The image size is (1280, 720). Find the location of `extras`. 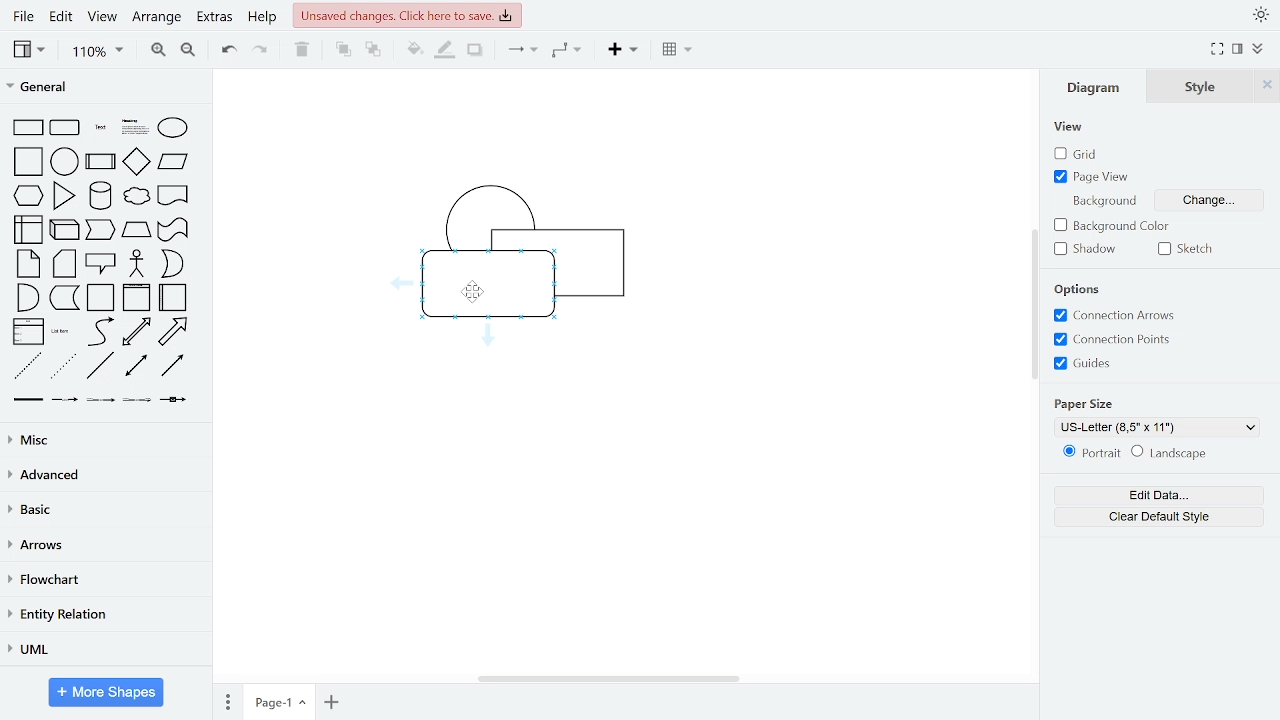

extras is located at coordinates (216, 20).